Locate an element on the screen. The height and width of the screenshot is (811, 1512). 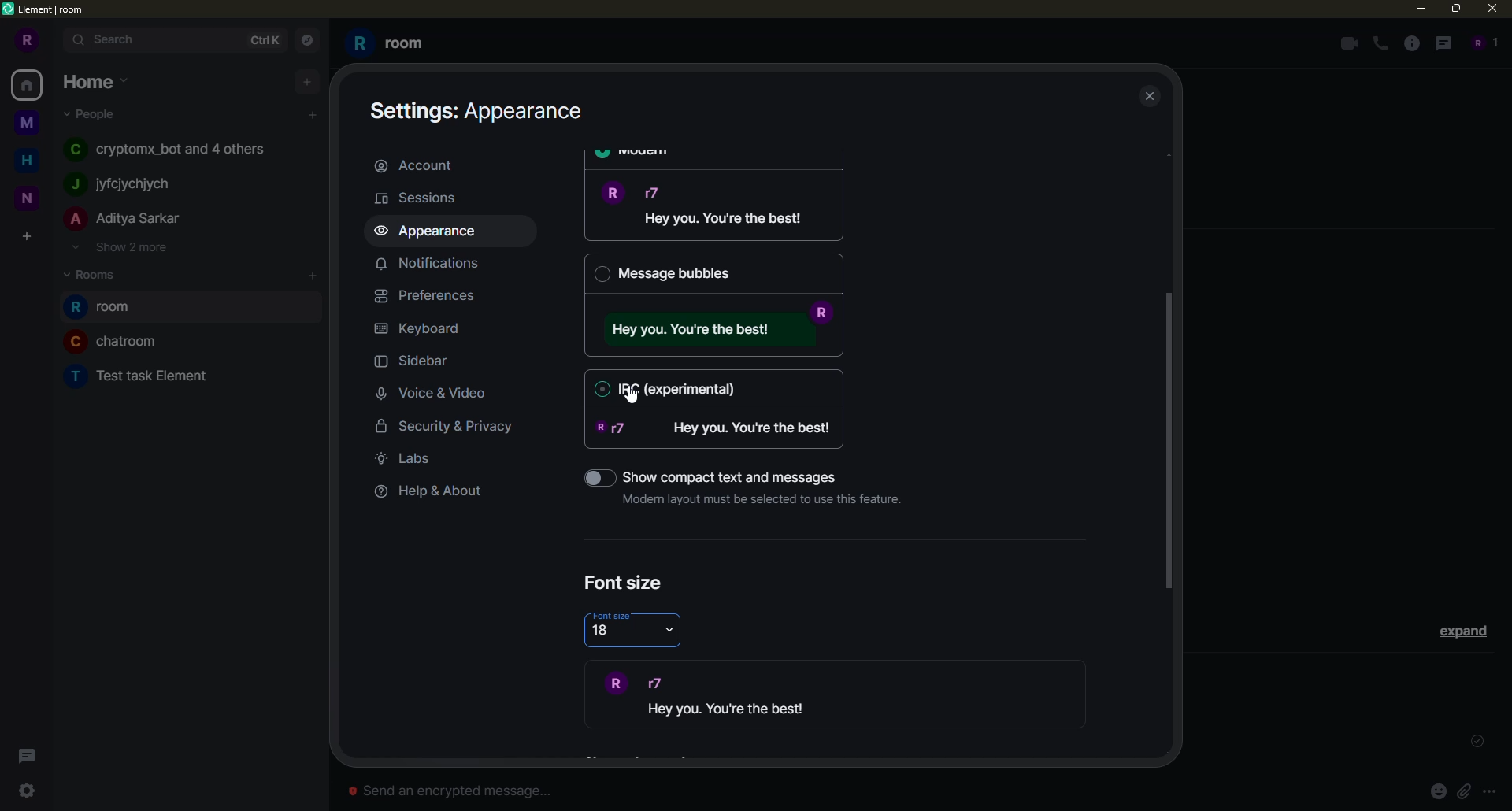
settings is located at coordinates (27, 791).